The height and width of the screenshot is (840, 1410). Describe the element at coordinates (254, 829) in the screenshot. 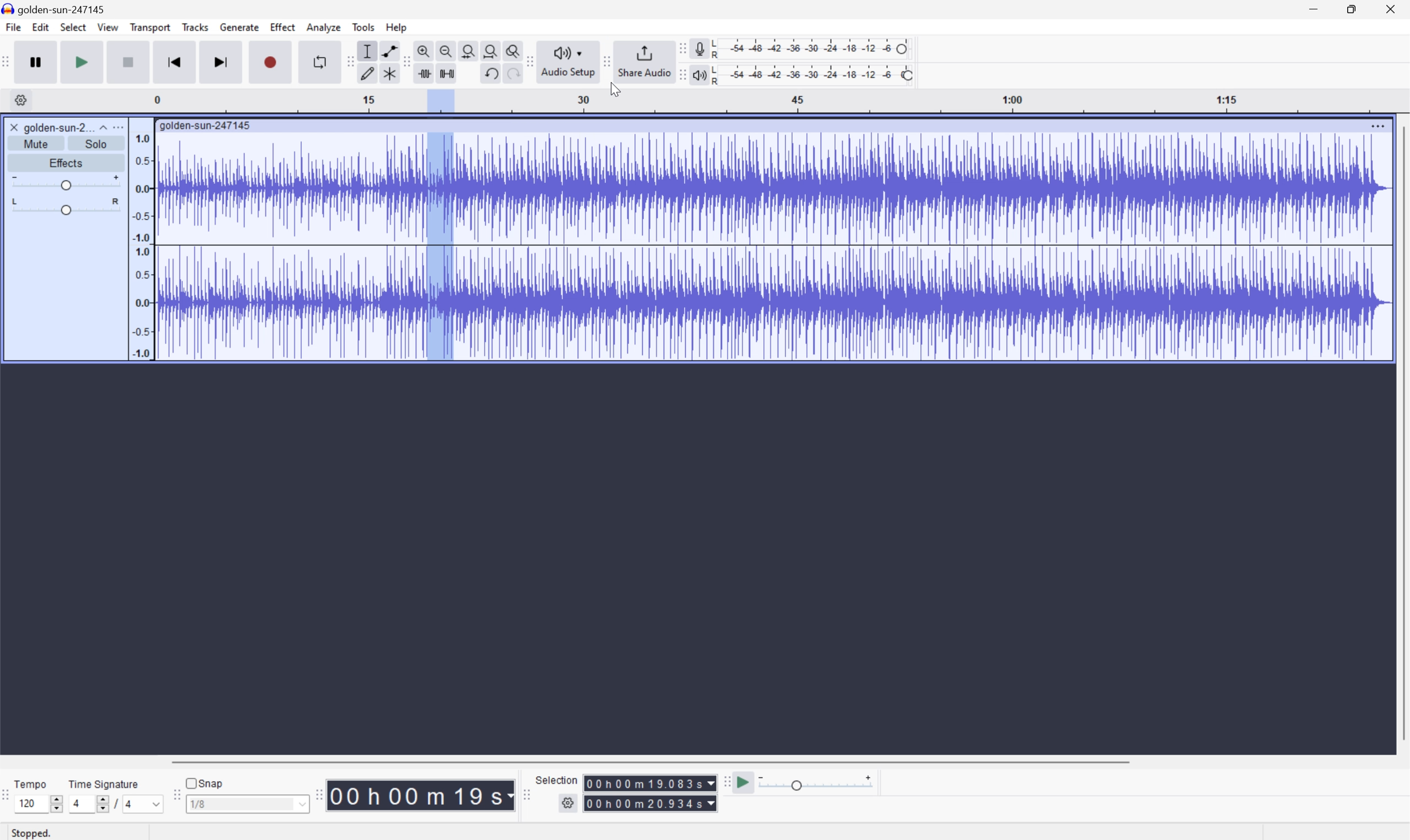

I see `Click and drag to select audio` at that location.